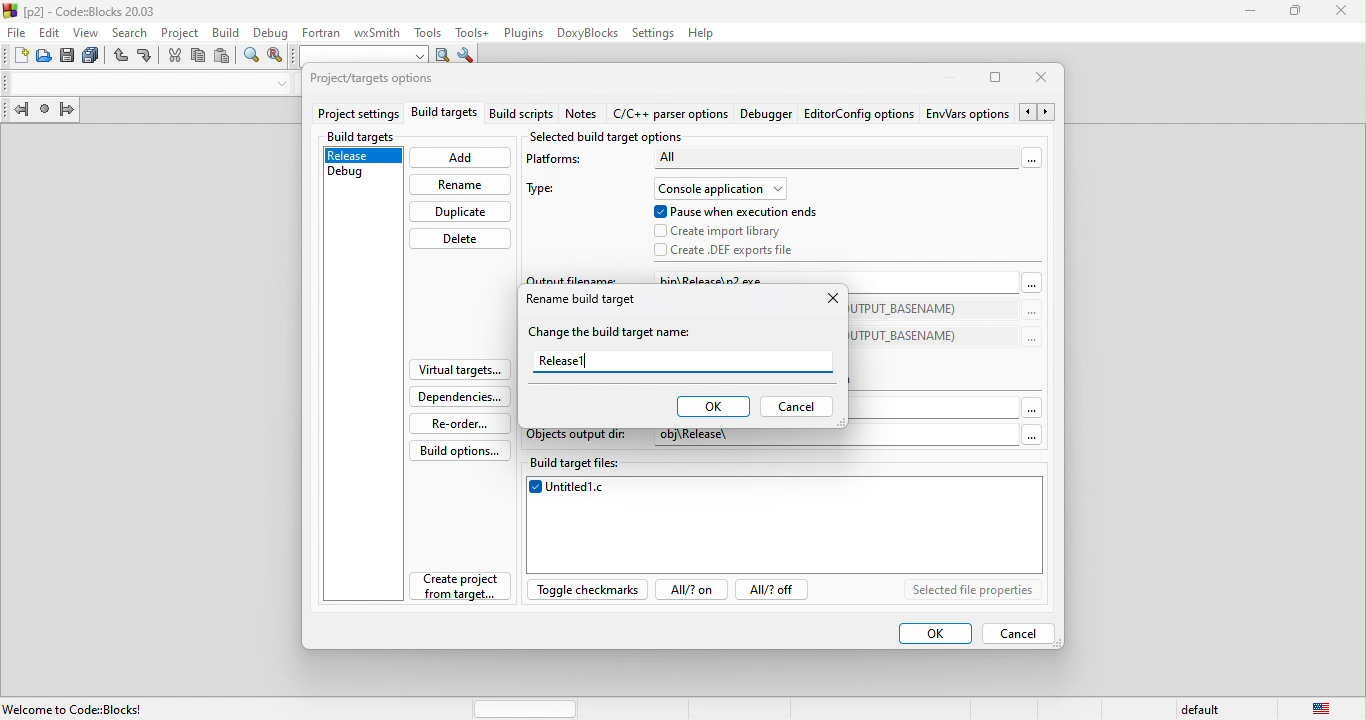  Describe the element at coordinates (673, 115) in the screenshot. I see `c\c++ parser option` at that location.